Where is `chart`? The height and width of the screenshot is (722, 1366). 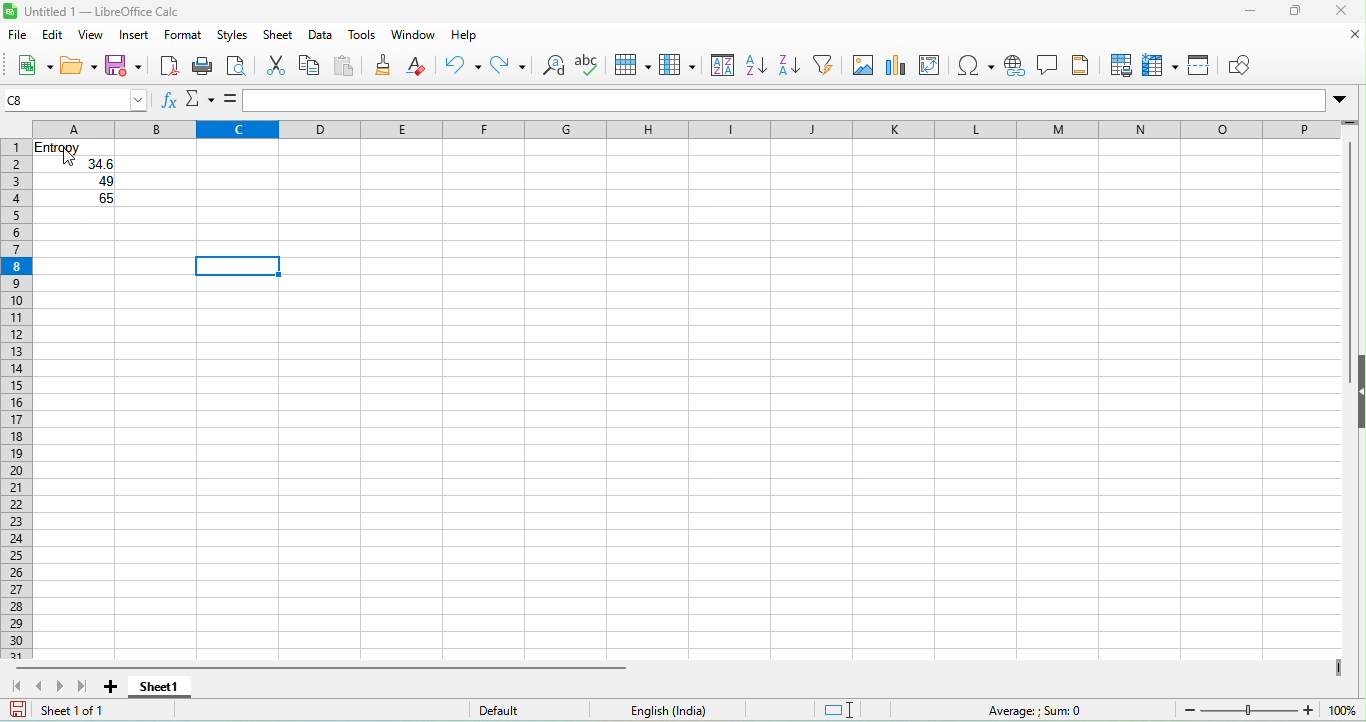 chart is located at coordinates (900, 65).